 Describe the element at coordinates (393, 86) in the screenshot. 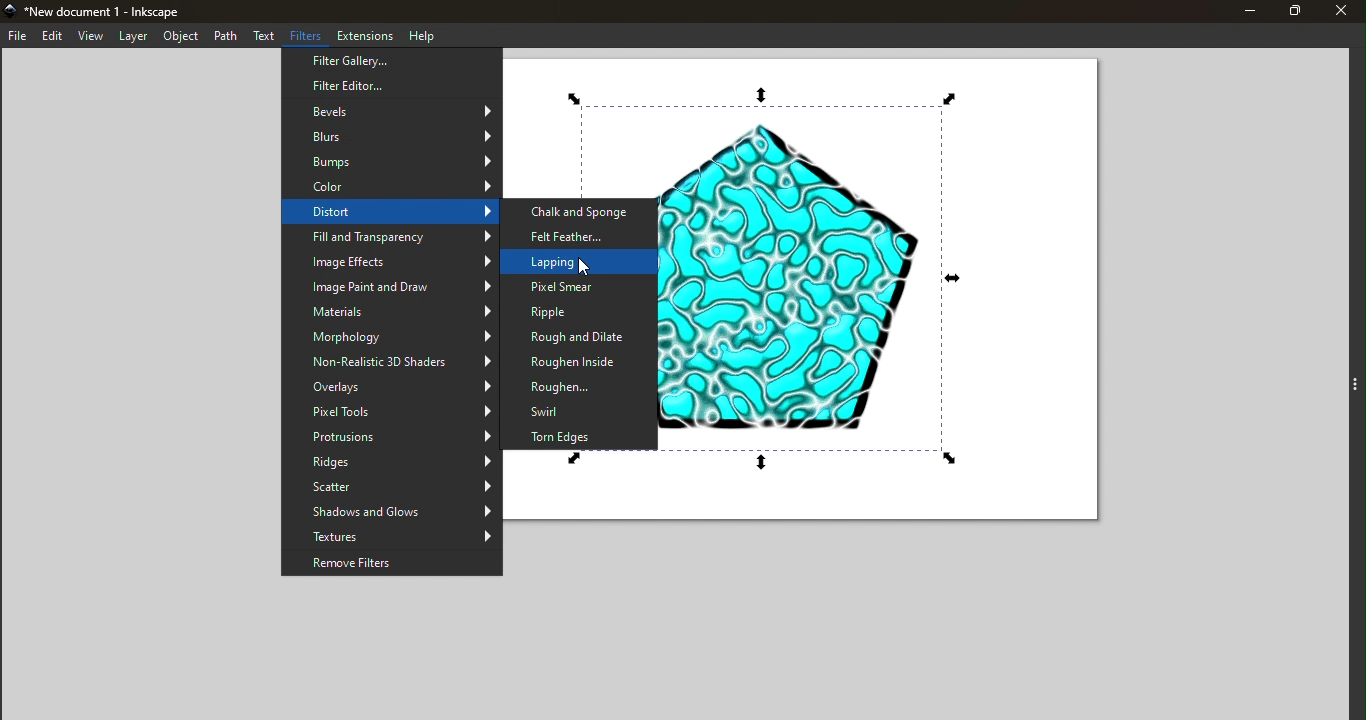

I see `Filter Editor...` at that location.